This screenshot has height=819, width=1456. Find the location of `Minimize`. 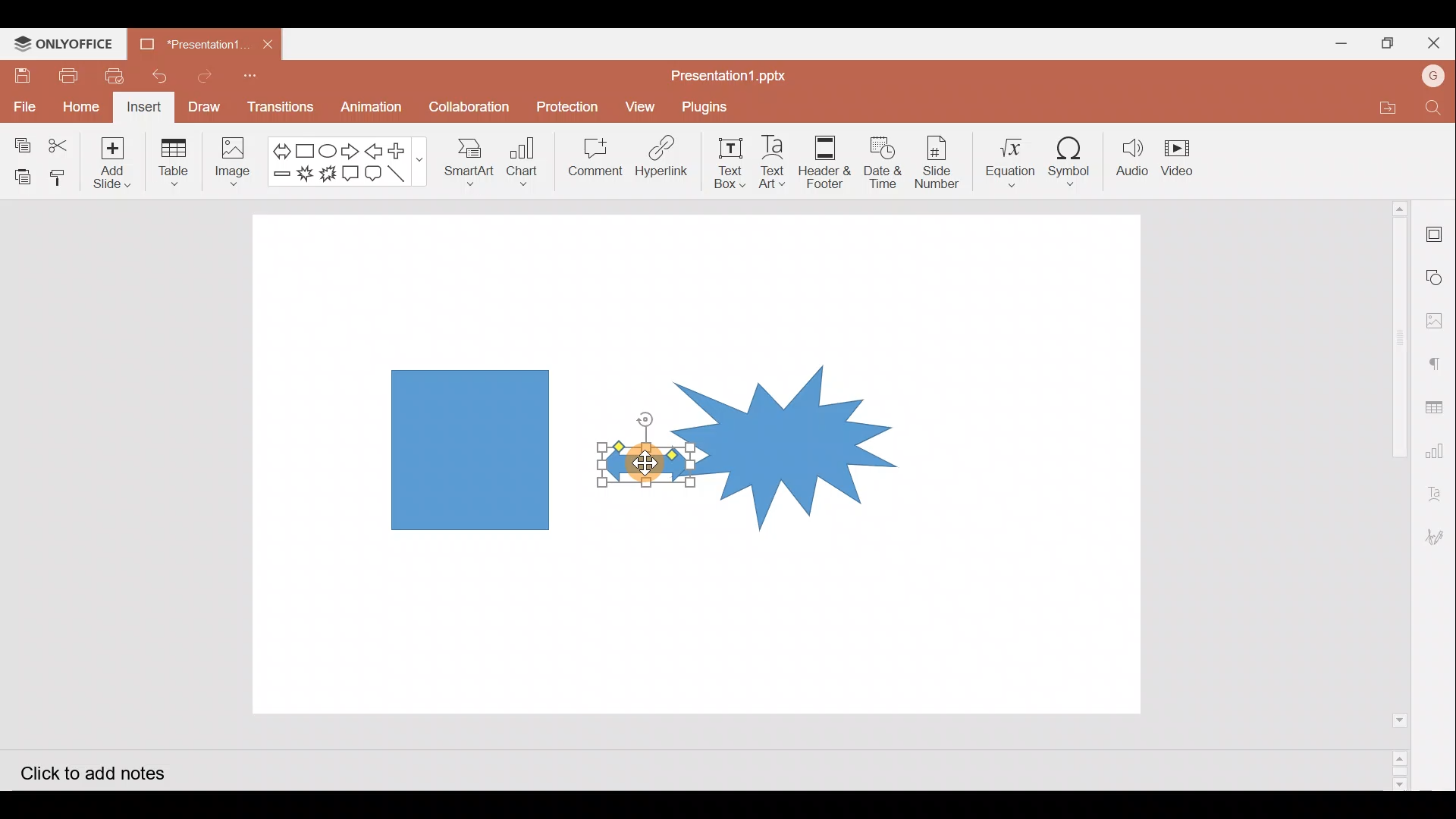

Minimize is located at coordinates (1335, 42).